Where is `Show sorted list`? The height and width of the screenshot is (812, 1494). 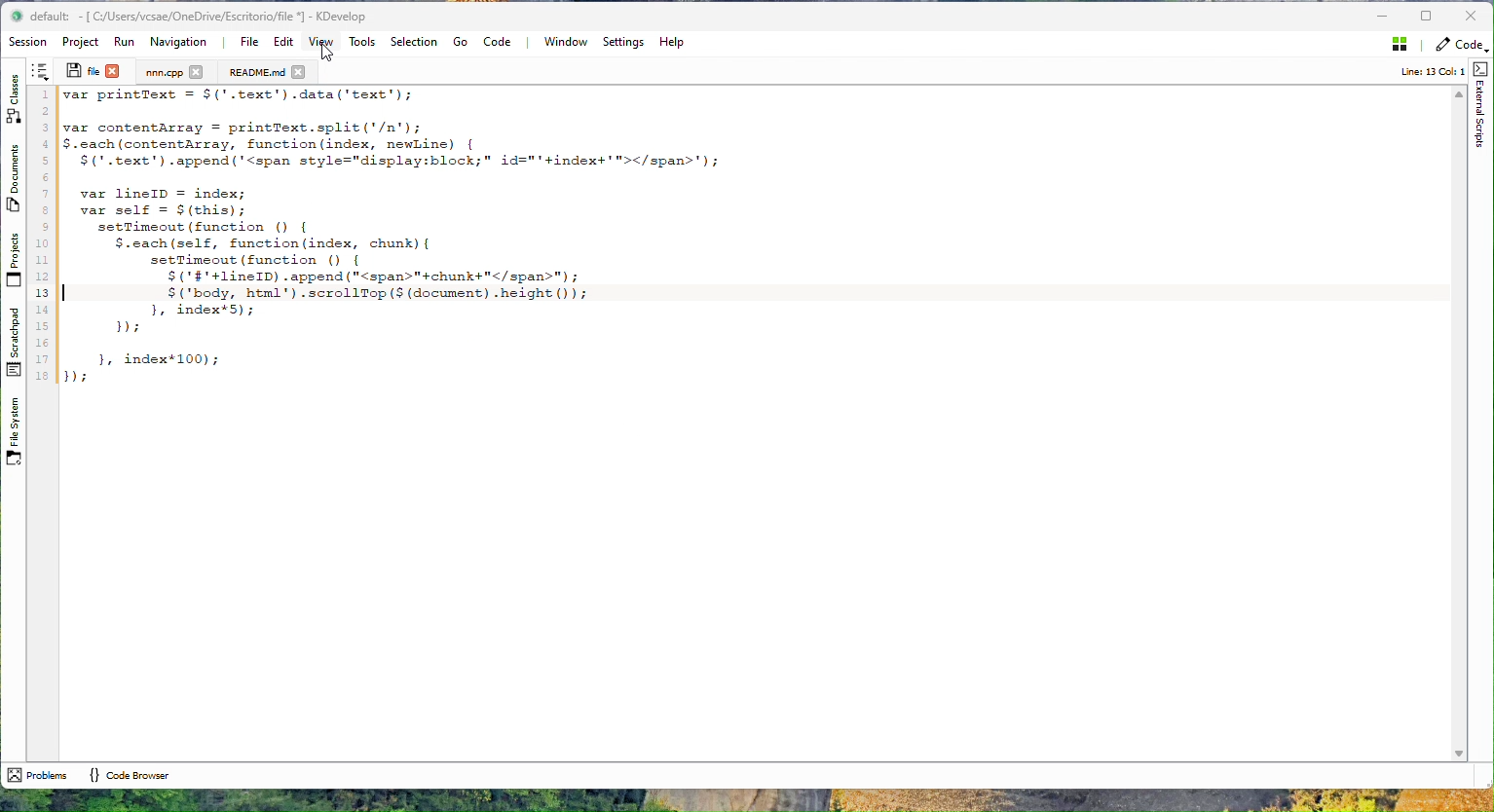
Show sorted list is located at coordinates (40, 71).